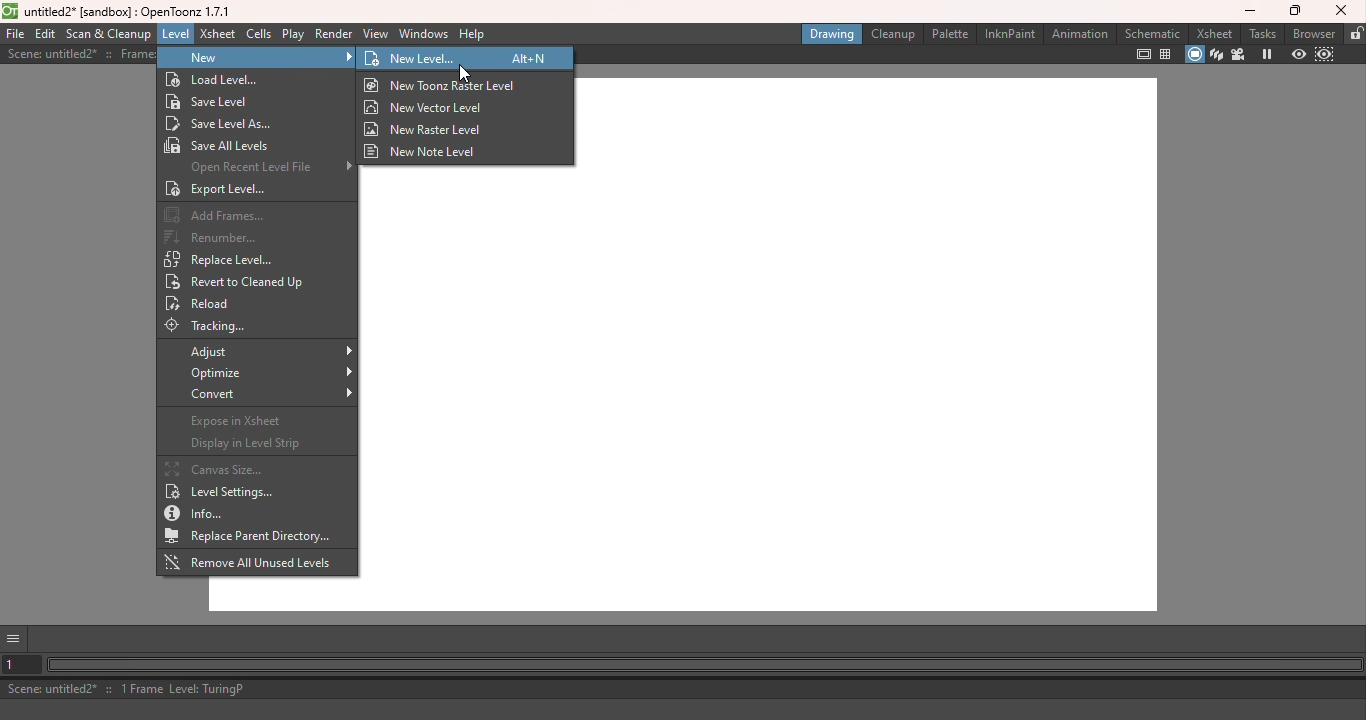 The height and width of the screenshot is (720, 1366). I want to click on Animation, so click(1078, 37).